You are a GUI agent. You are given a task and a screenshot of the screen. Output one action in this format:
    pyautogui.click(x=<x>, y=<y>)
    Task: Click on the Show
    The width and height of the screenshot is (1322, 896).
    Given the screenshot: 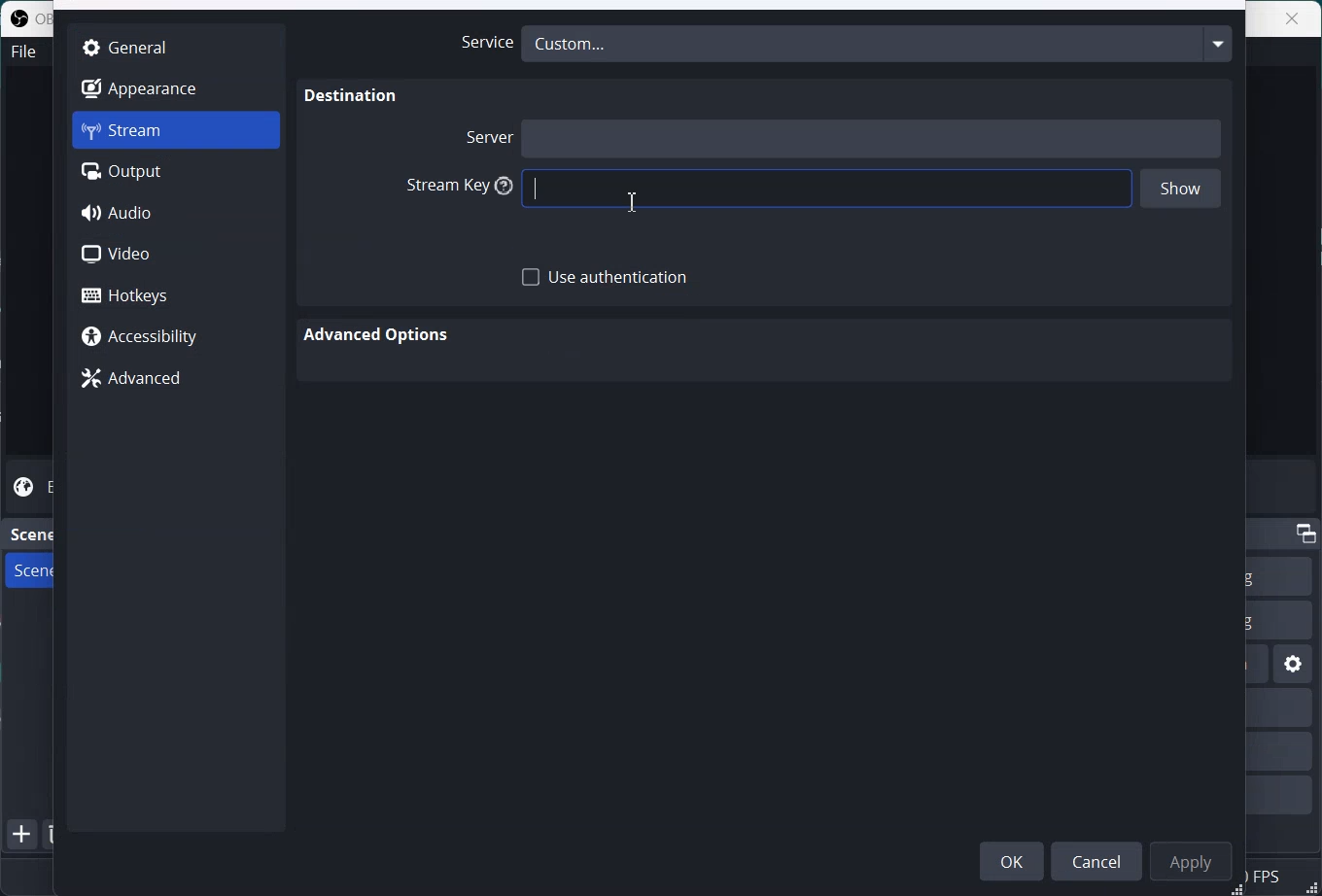 What is the action you would take?
    pyautogui.click(x=1181, y=190)
    